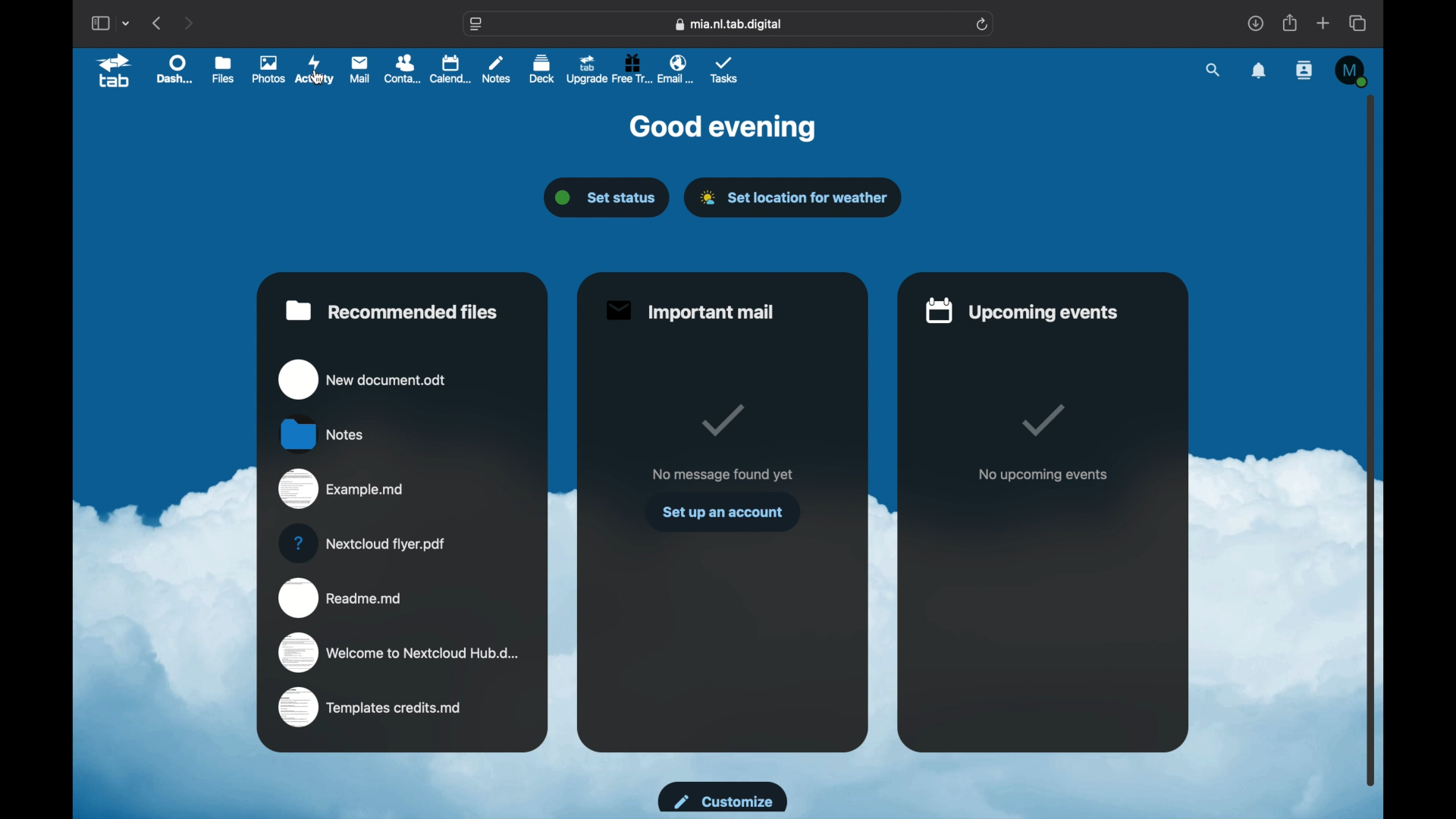 The width and height of the screenshot is (1456, 819). I want to click on new tab, so click(1323, 23).